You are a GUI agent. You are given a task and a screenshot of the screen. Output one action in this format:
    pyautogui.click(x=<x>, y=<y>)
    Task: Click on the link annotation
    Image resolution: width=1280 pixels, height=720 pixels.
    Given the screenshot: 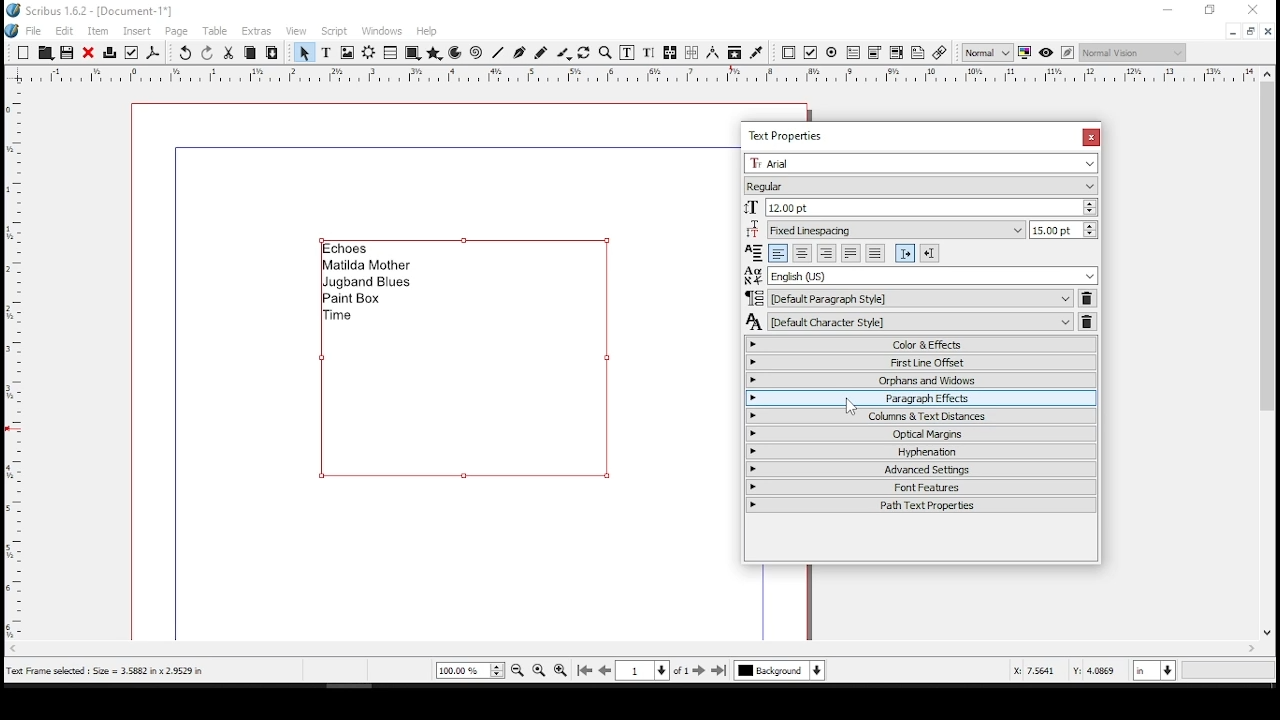 What is the action you would take?
    pyautogui.click(x=940, y=53)
    